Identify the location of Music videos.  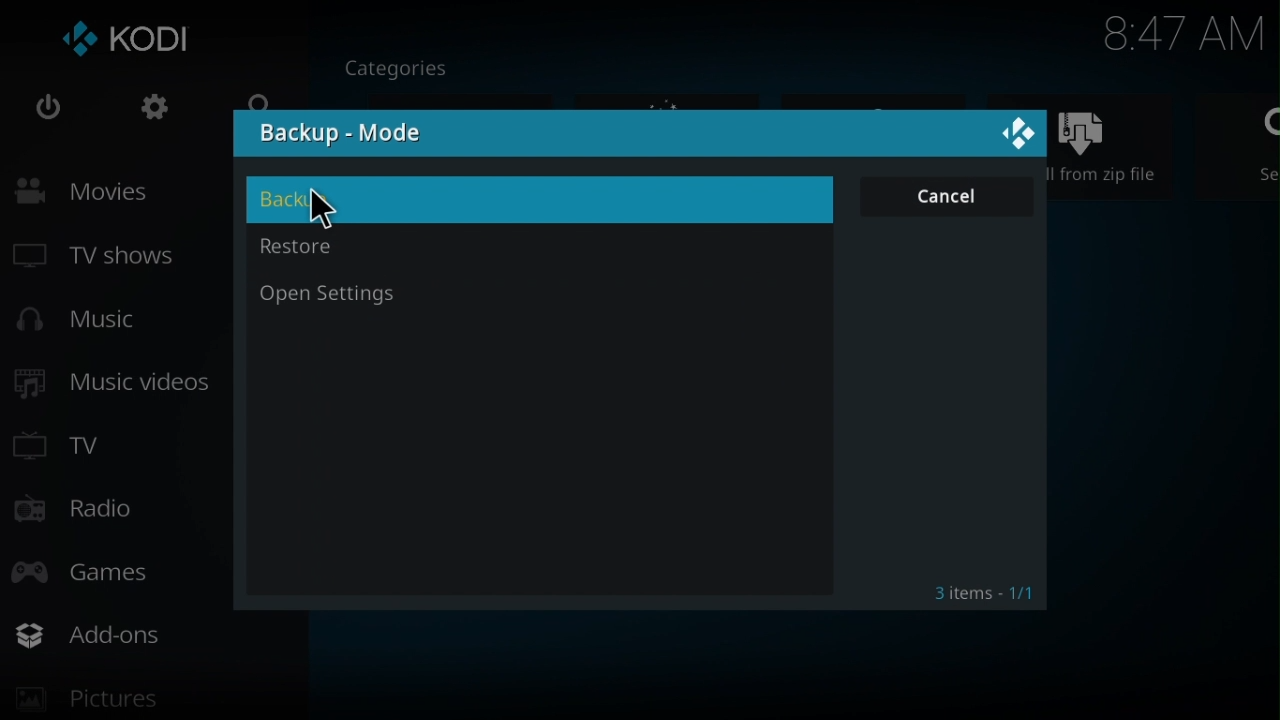
(119, 384).